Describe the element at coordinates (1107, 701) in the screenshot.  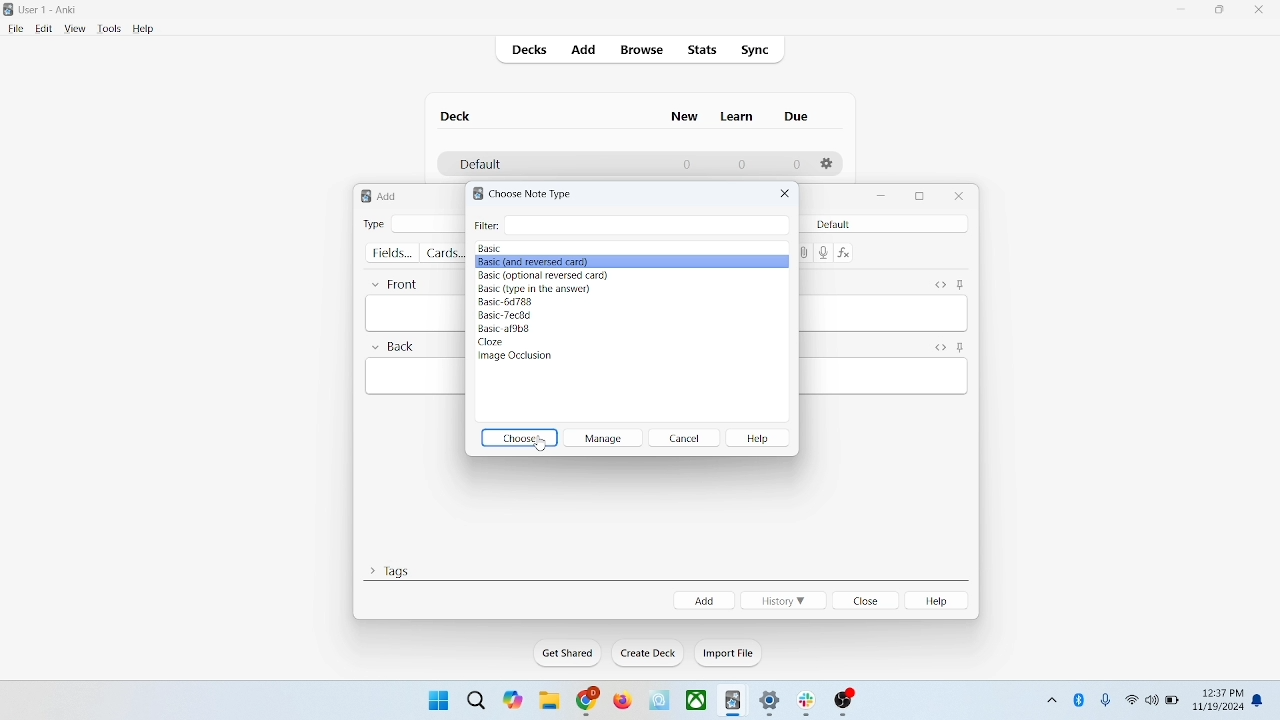
I see `microphone` at that location.